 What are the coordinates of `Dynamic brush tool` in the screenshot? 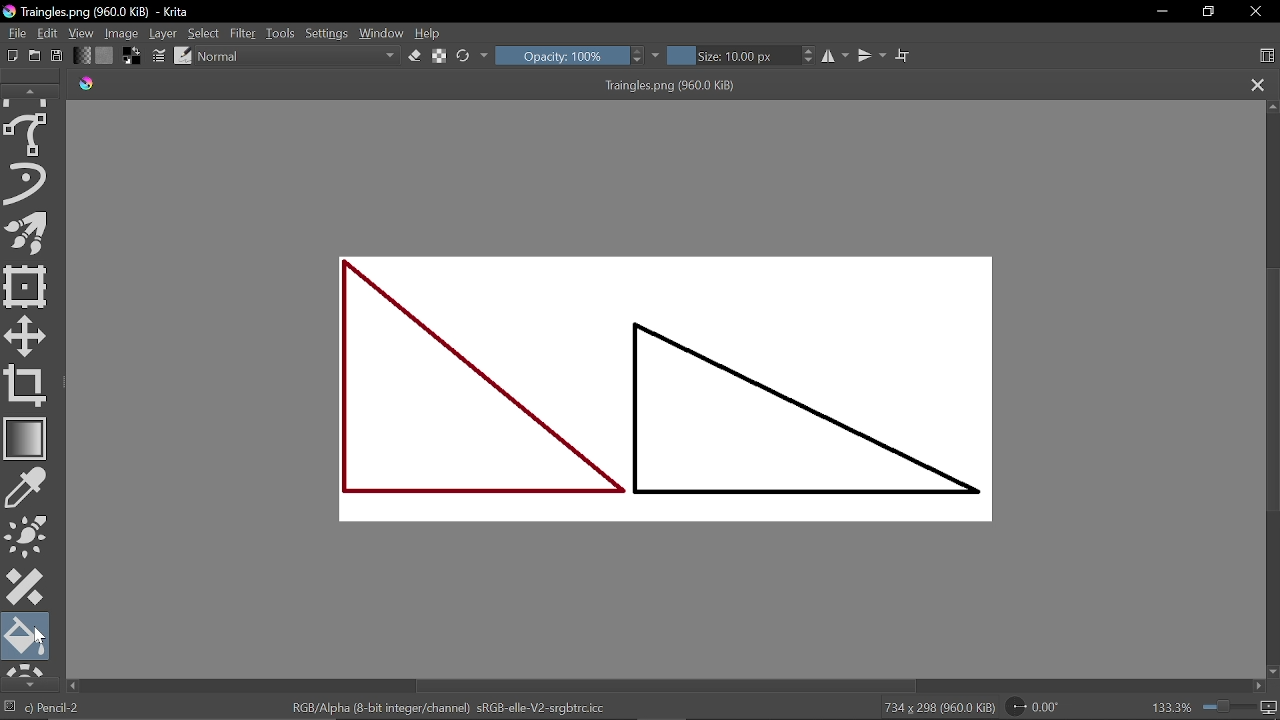 It's located at (28, 182).